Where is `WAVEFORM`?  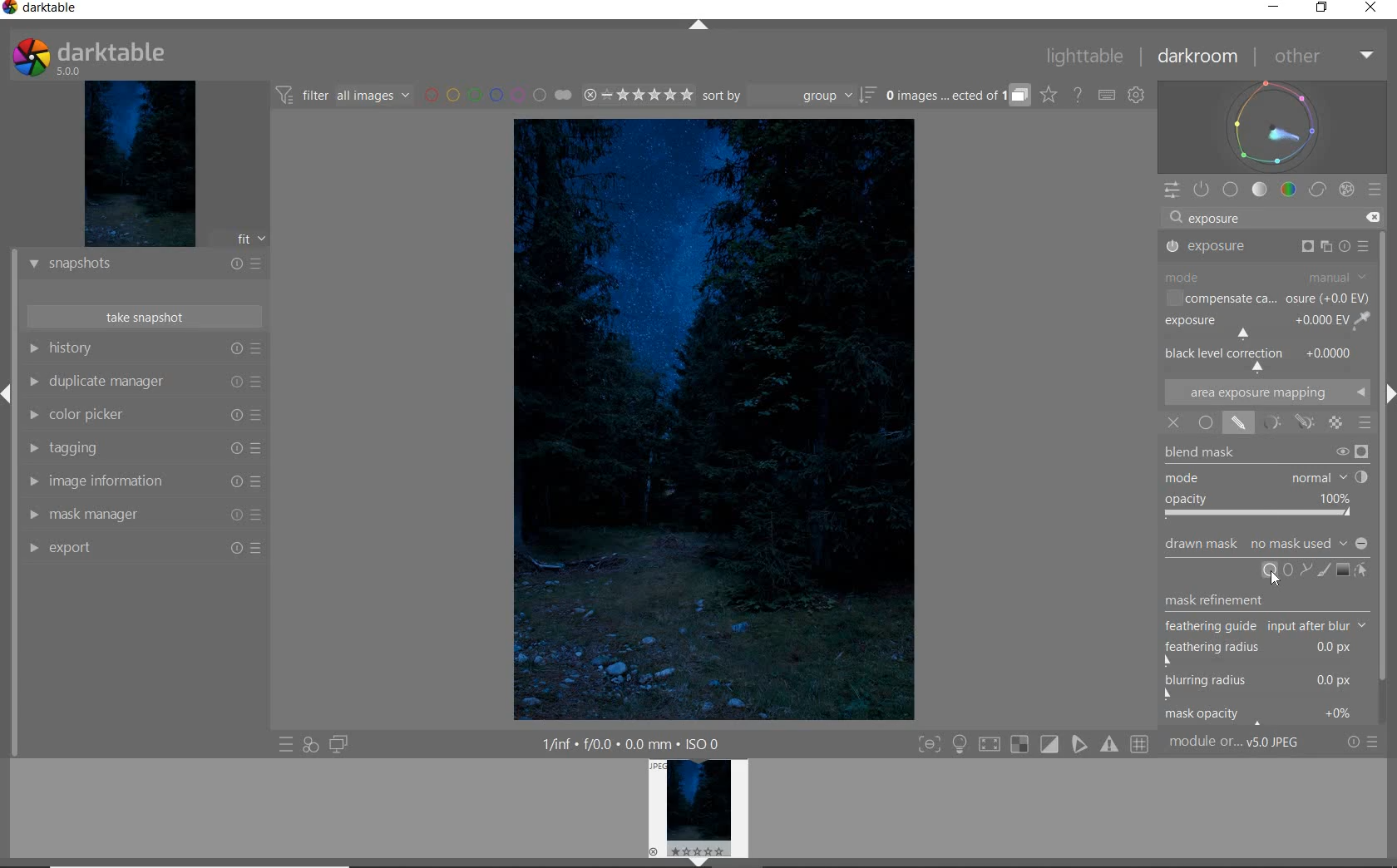
WAVEFORM is located at coordinates (1271, 126).